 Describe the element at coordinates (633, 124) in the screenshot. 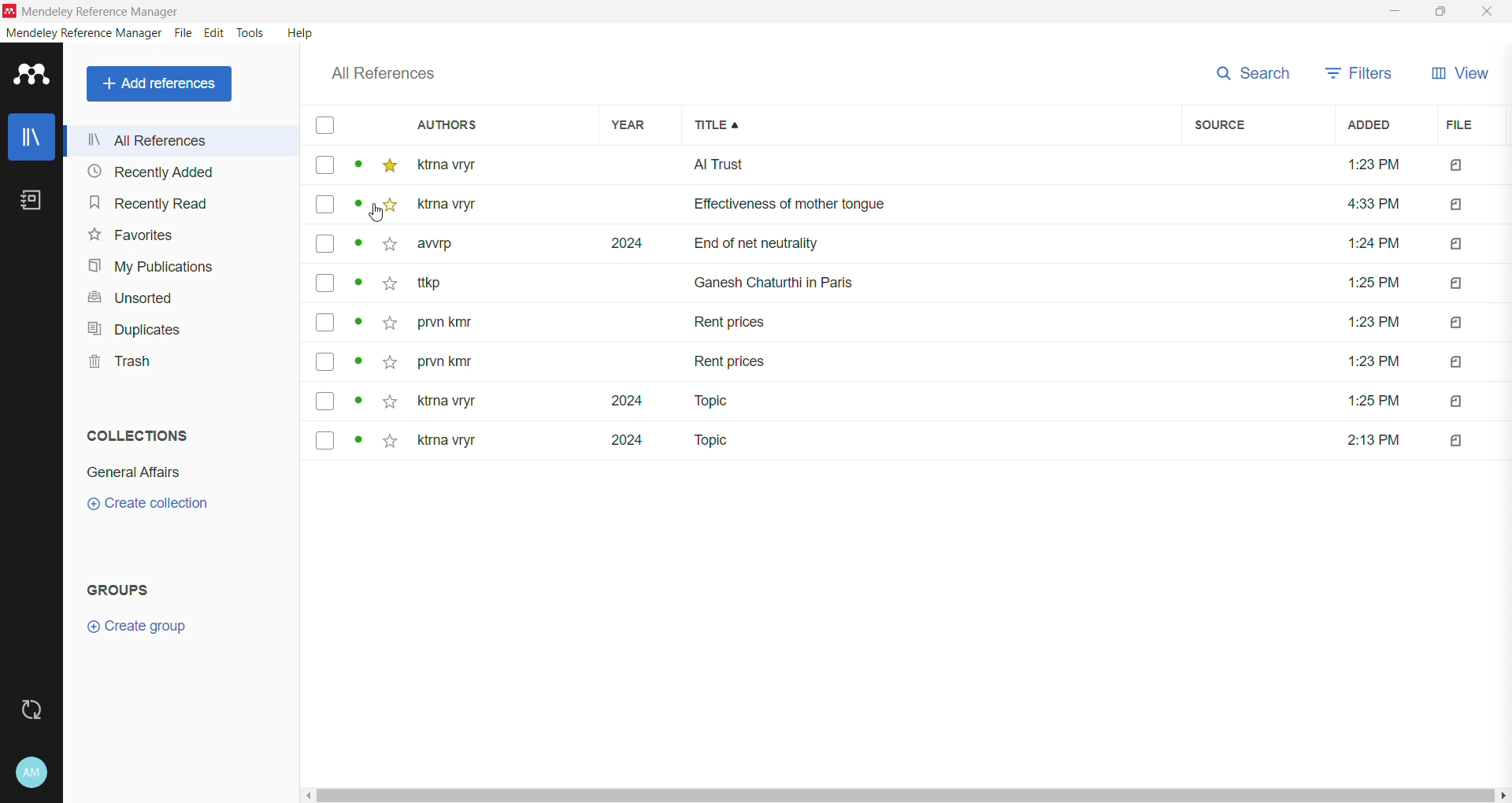

I see `Year` at that location.